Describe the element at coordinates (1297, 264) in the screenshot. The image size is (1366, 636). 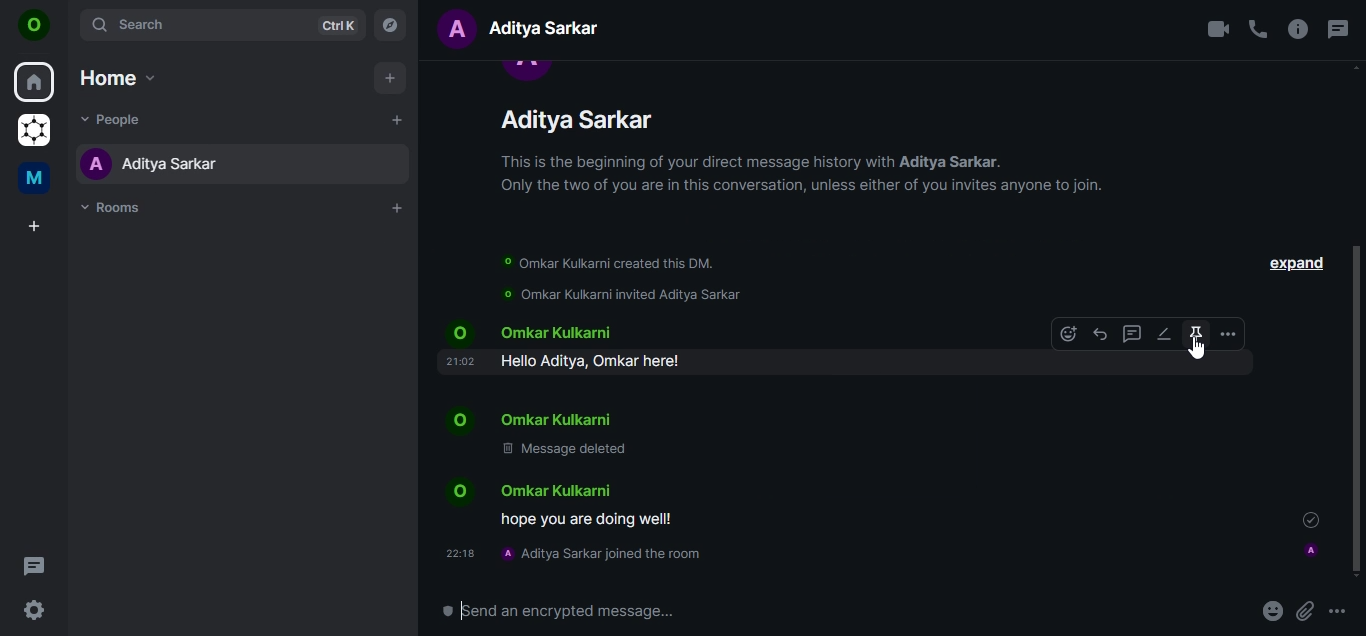
I see `expand` at that location.